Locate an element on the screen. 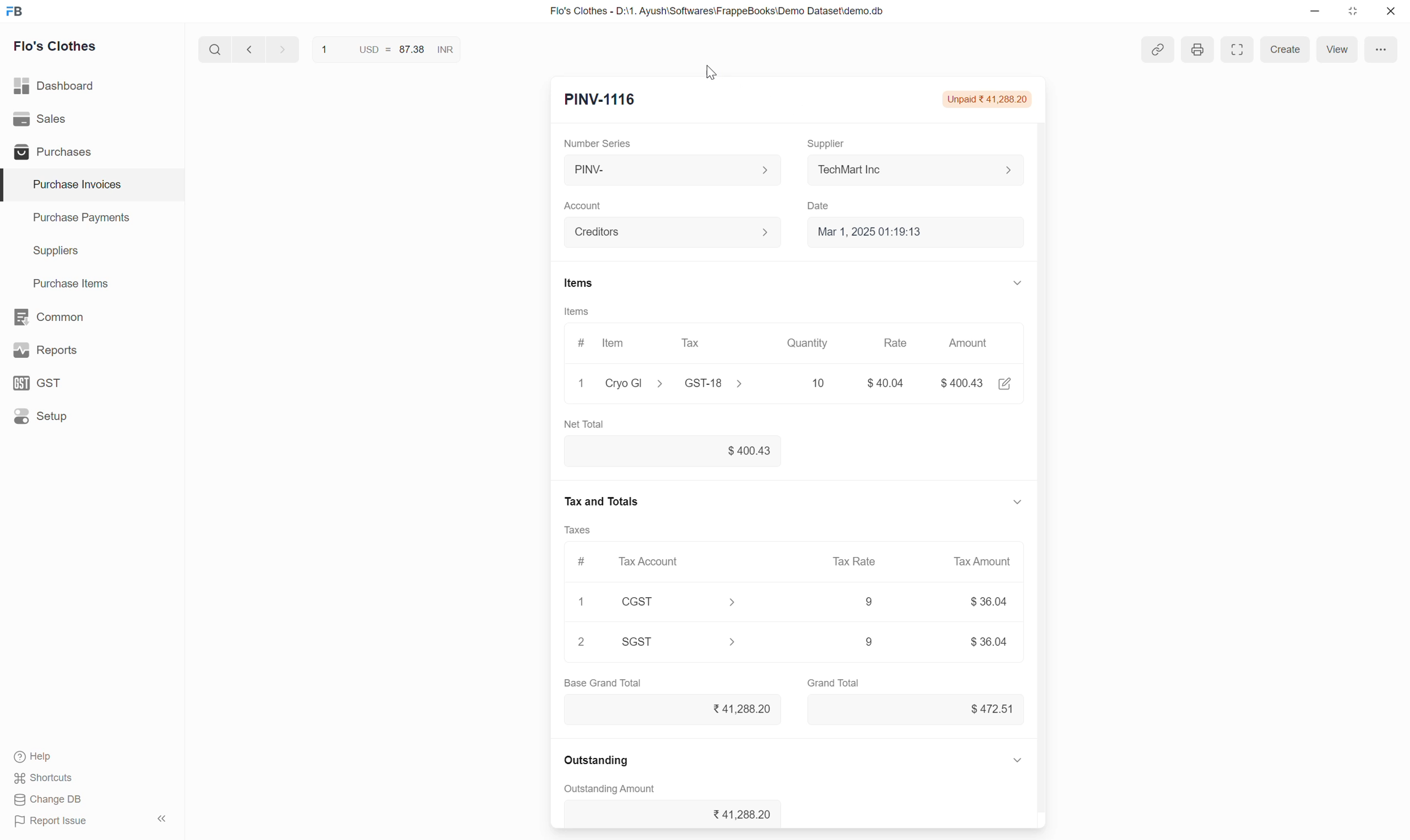 Image resolution: width=1410 pixels, height=840 pixels. next is located at coordinates (247, 50).